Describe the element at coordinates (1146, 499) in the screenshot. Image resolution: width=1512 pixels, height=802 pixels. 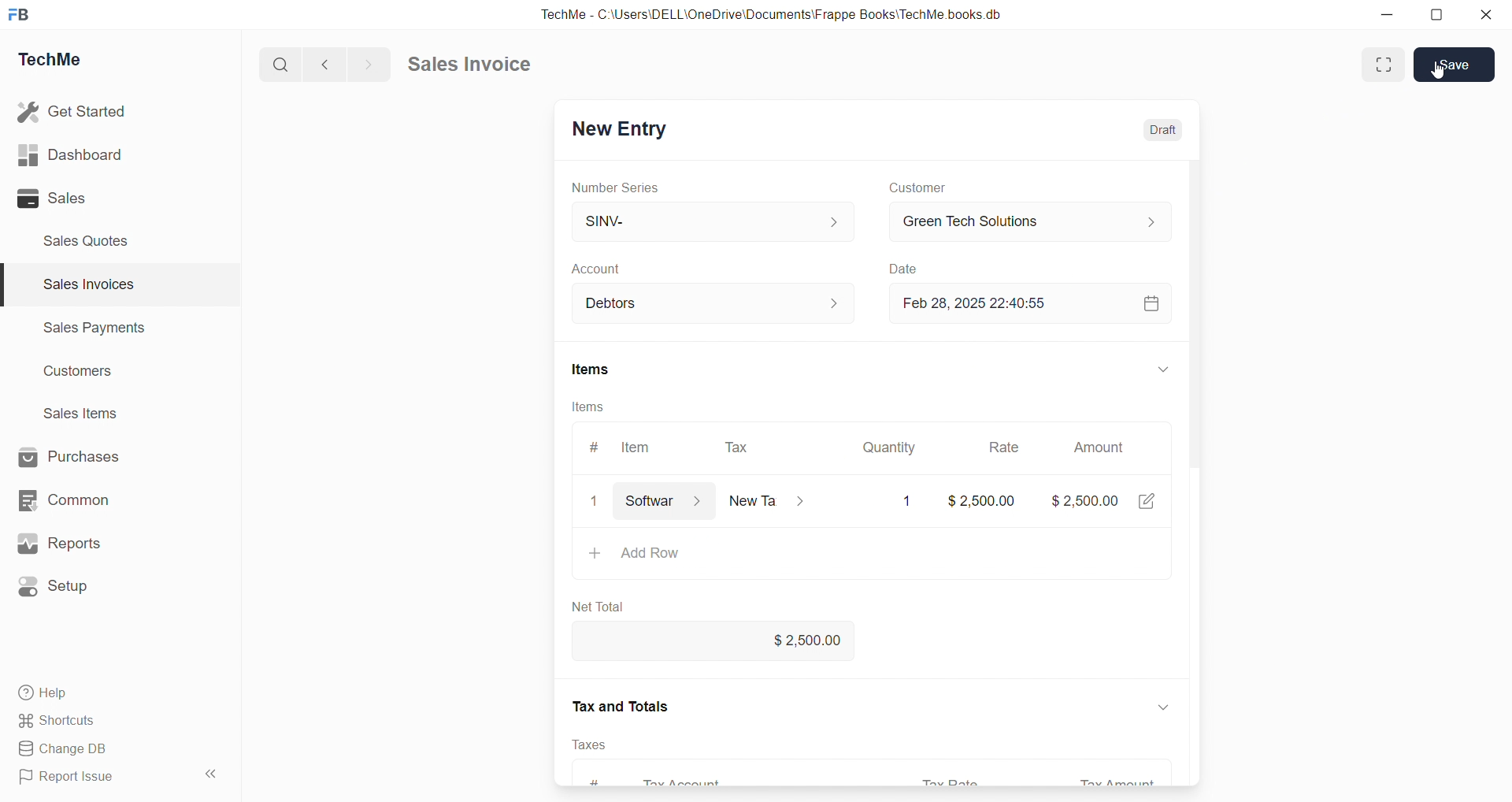
I see `edit` at that location.